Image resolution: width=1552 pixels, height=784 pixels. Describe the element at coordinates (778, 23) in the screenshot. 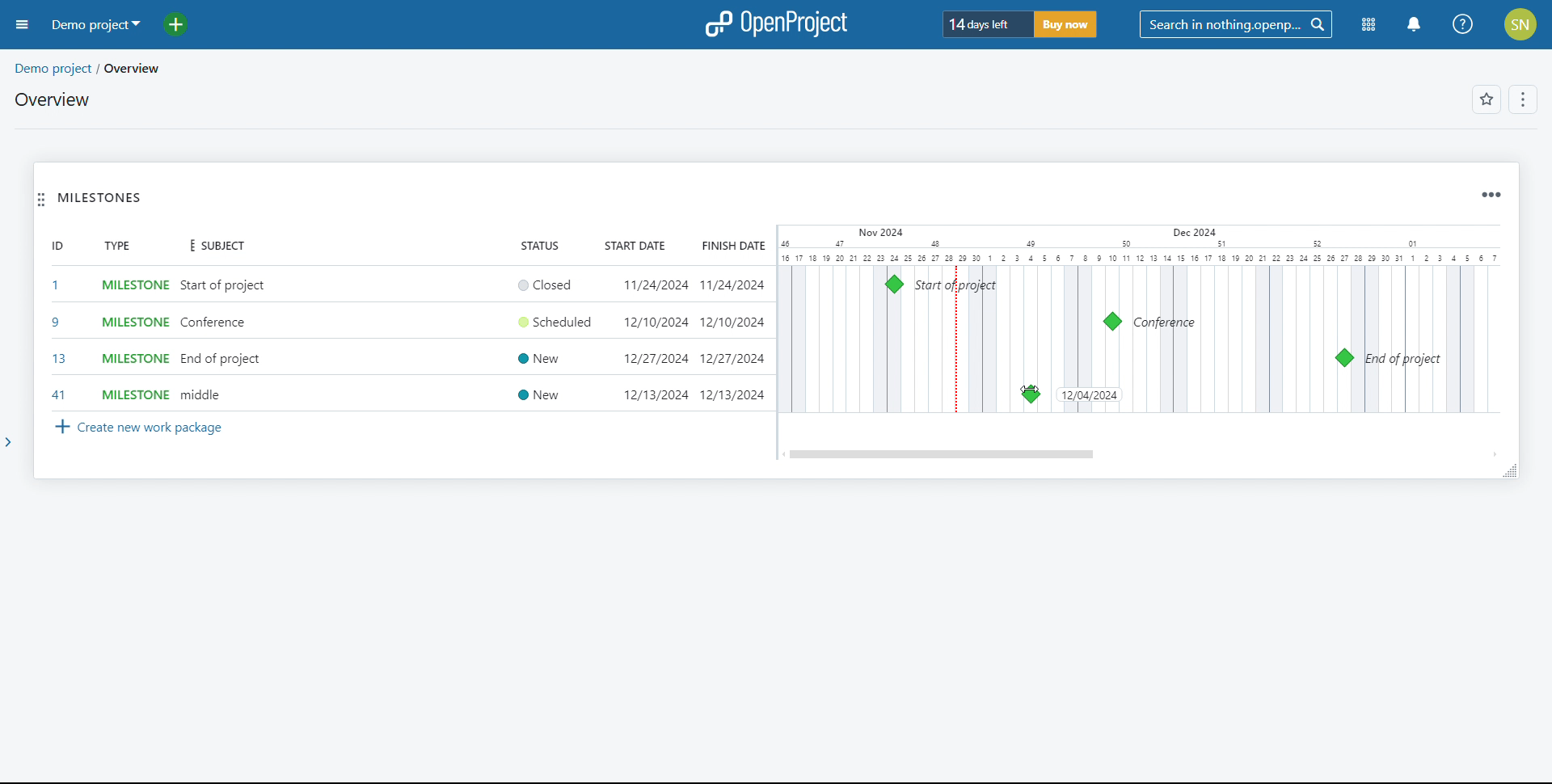

I see `logo` at that location.